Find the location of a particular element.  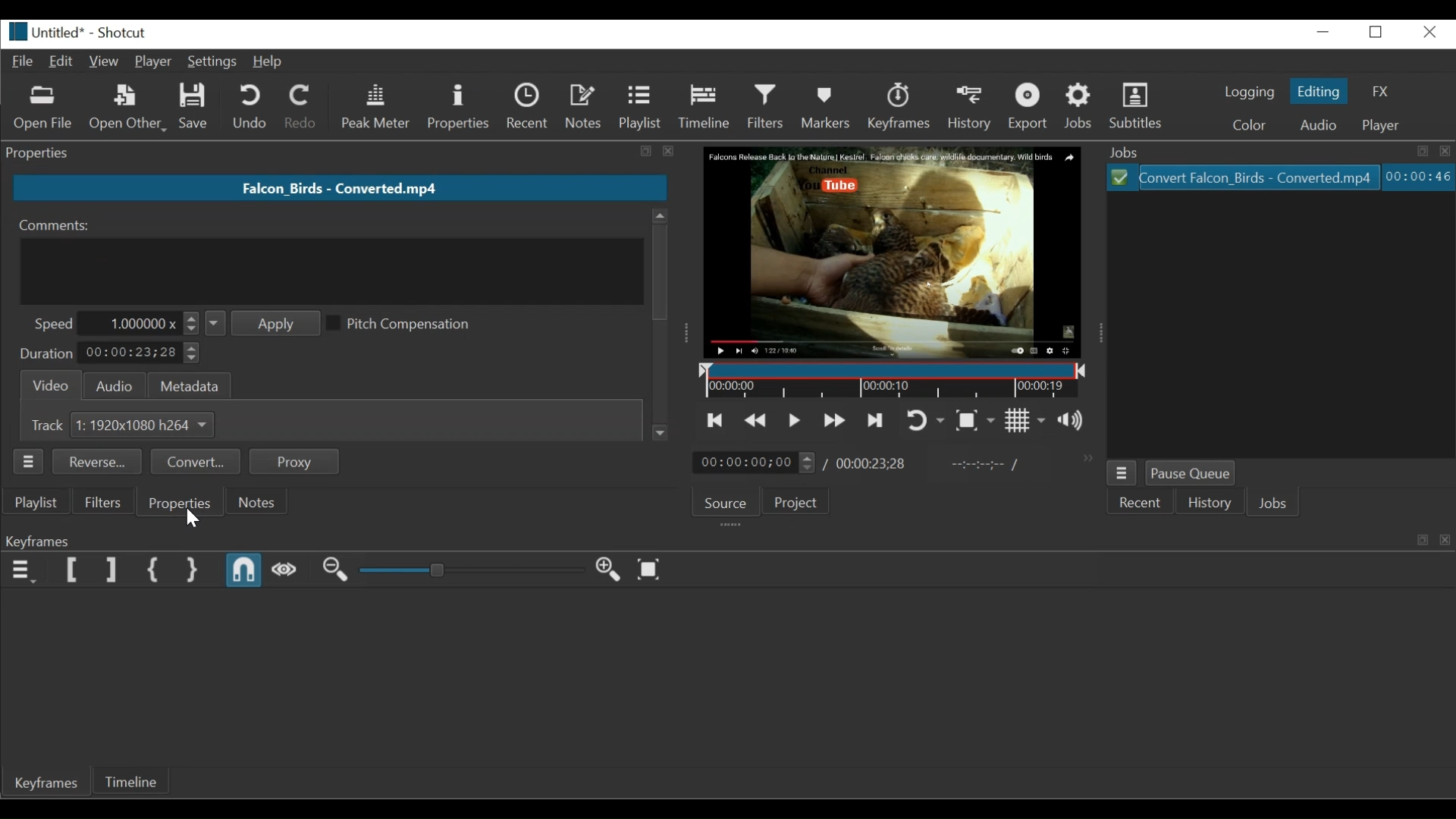

Adjust Video track  is located at coordinates (147, 425).